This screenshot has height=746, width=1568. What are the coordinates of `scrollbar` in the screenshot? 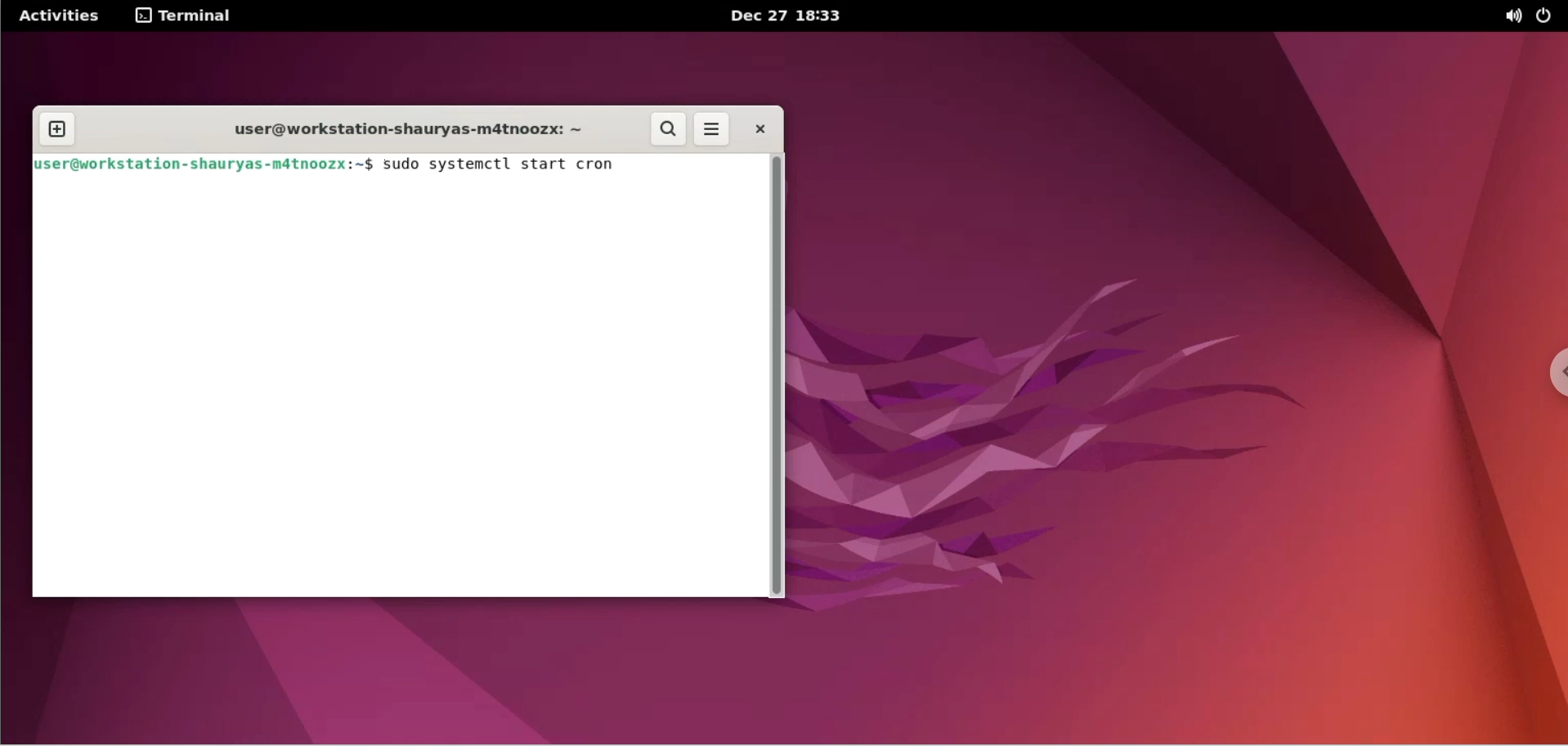 It's located at (781, 377).